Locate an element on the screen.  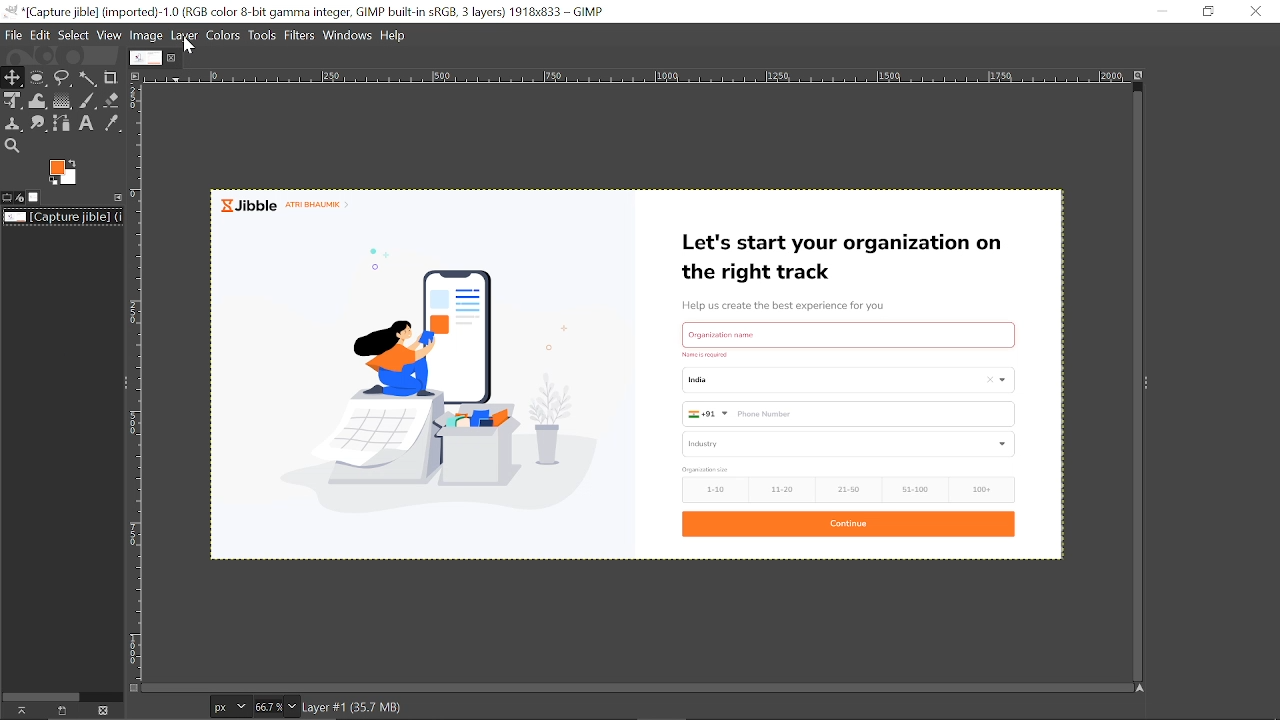
Access this image's menu is located at coordinates (134, 75).